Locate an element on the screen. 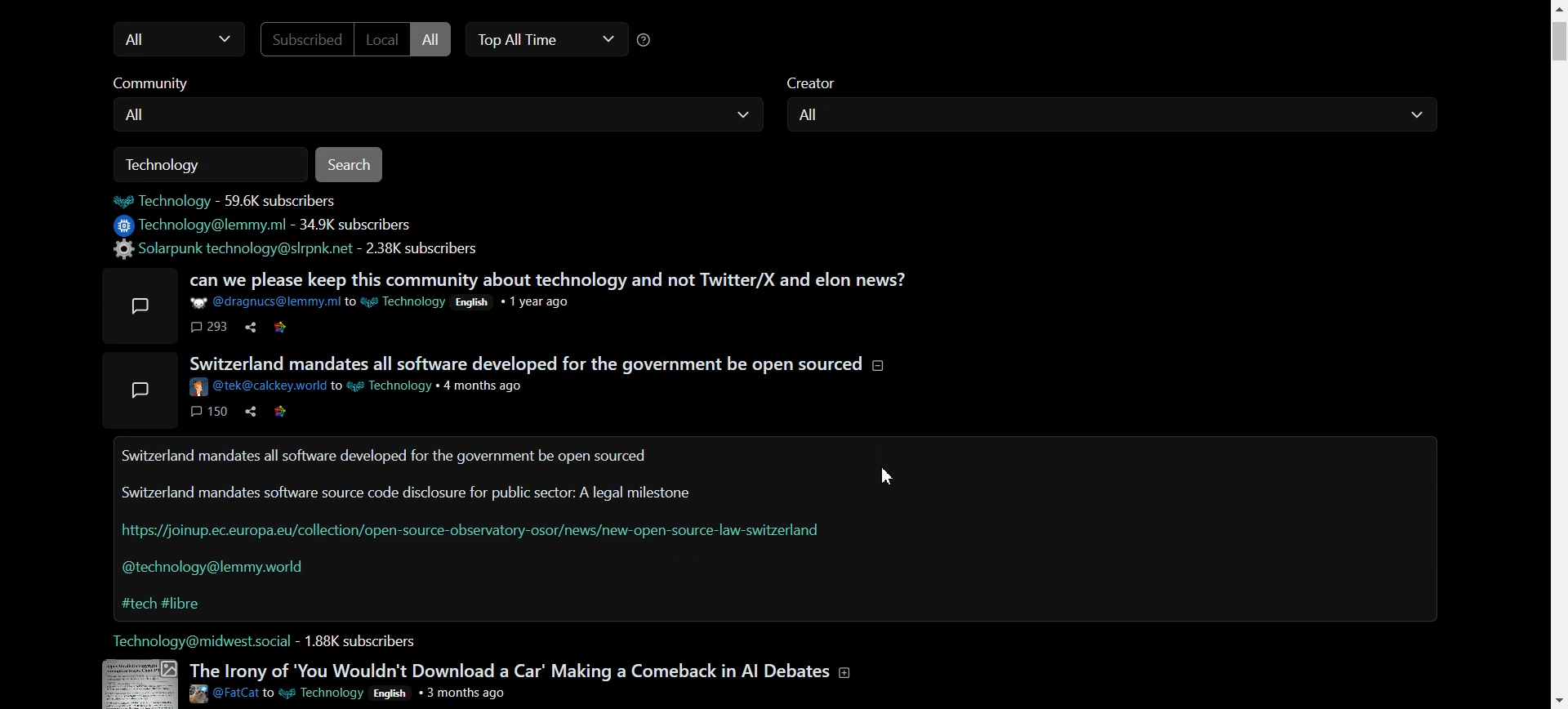 The height and width of the screenshot is (709, 1568). Subscribed is located at coordinates (299, 40).